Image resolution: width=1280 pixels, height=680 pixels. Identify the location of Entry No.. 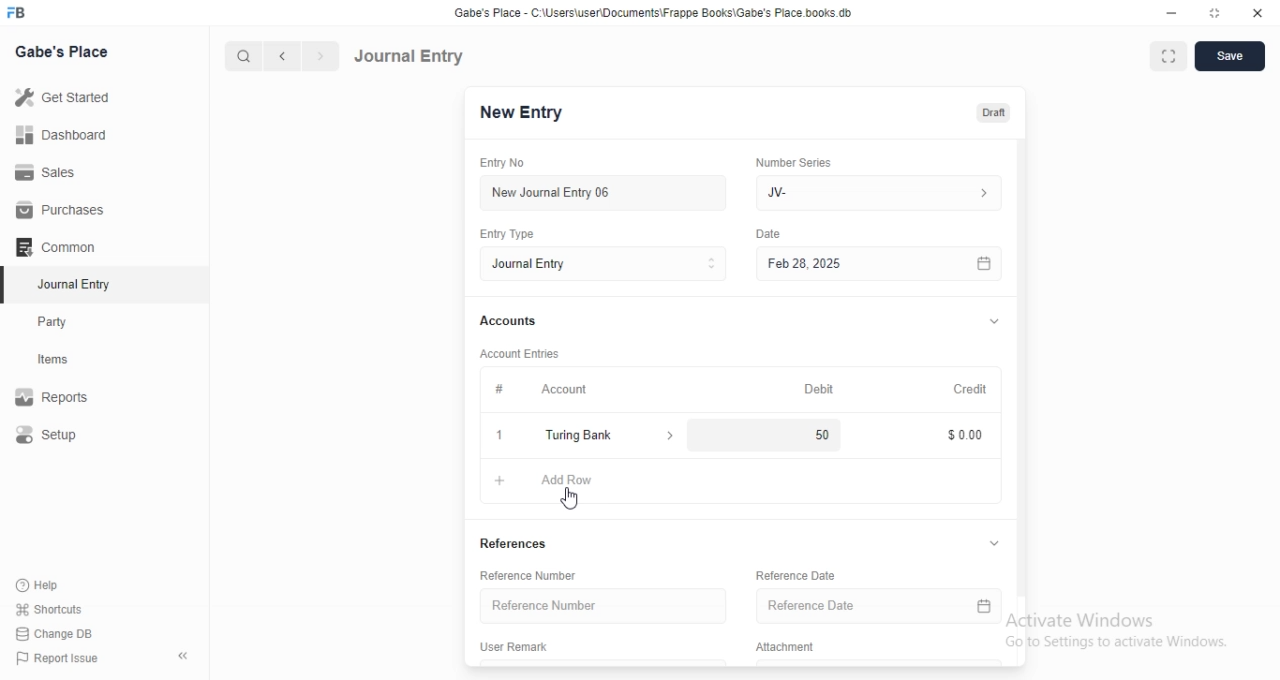
(508, 163).